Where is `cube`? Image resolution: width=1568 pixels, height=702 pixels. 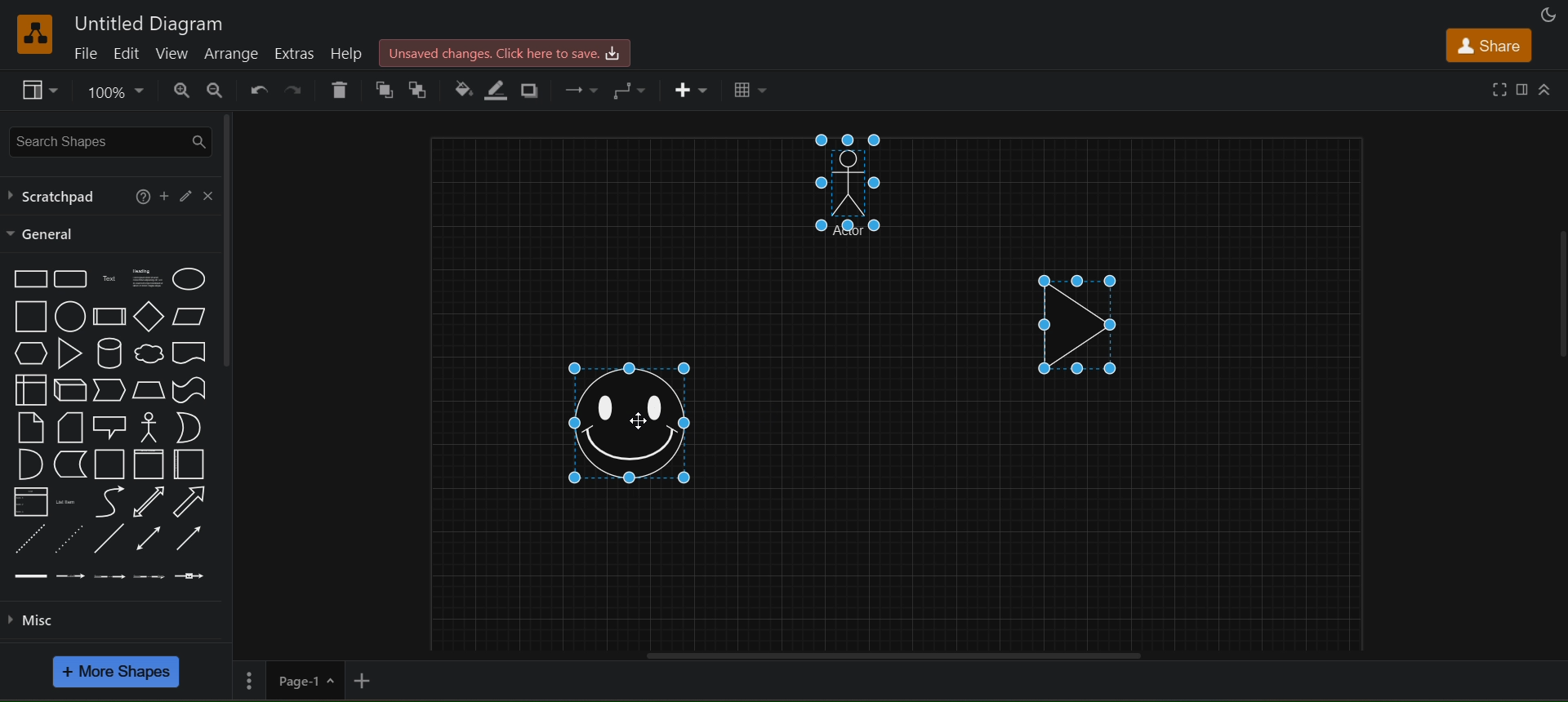 cube is located at coordinates (67, 389).